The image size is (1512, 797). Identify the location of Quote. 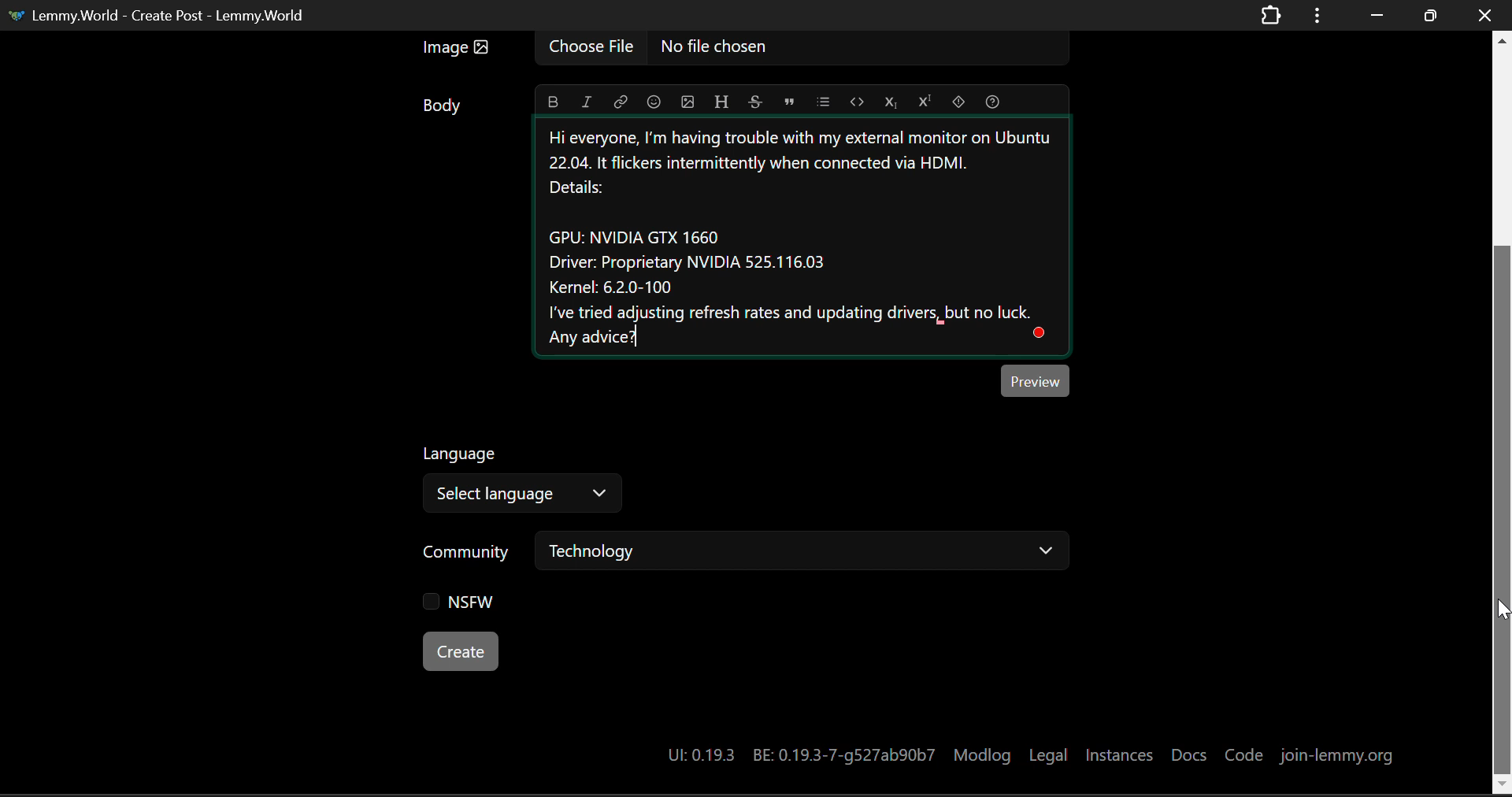
(788, 102).